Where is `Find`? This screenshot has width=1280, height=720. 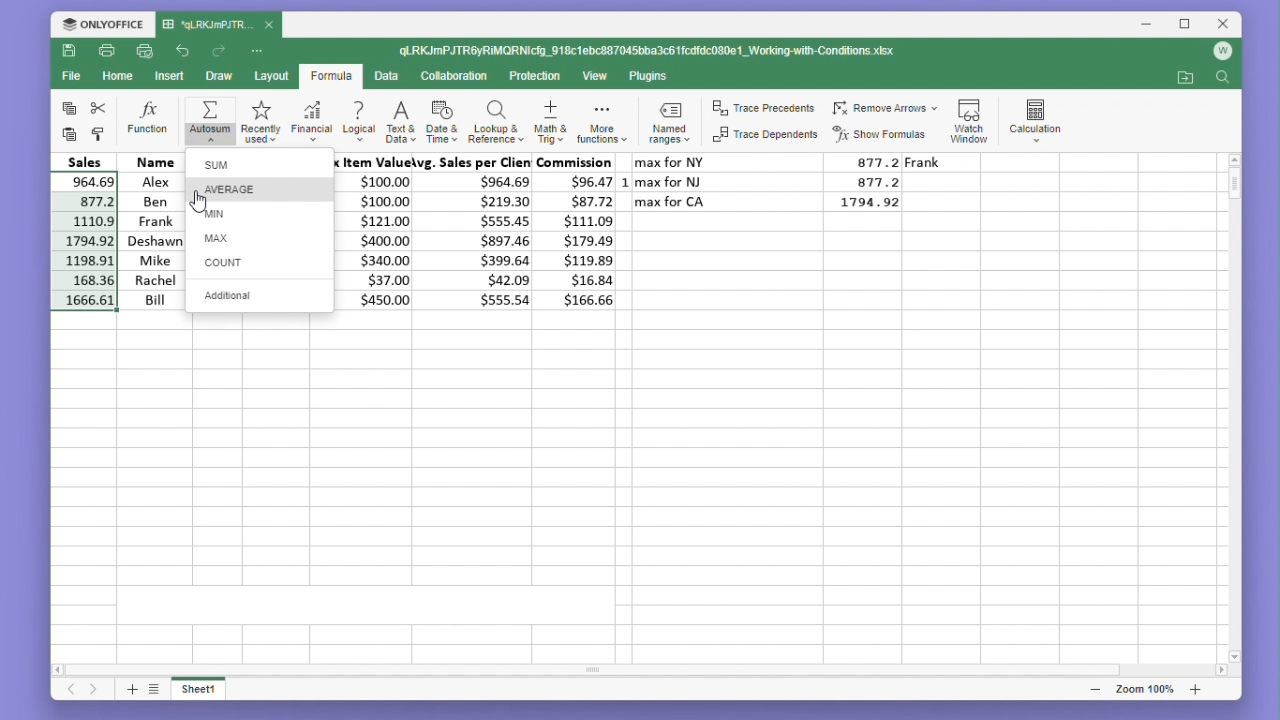 Find is located at coordinates (1222, 80).